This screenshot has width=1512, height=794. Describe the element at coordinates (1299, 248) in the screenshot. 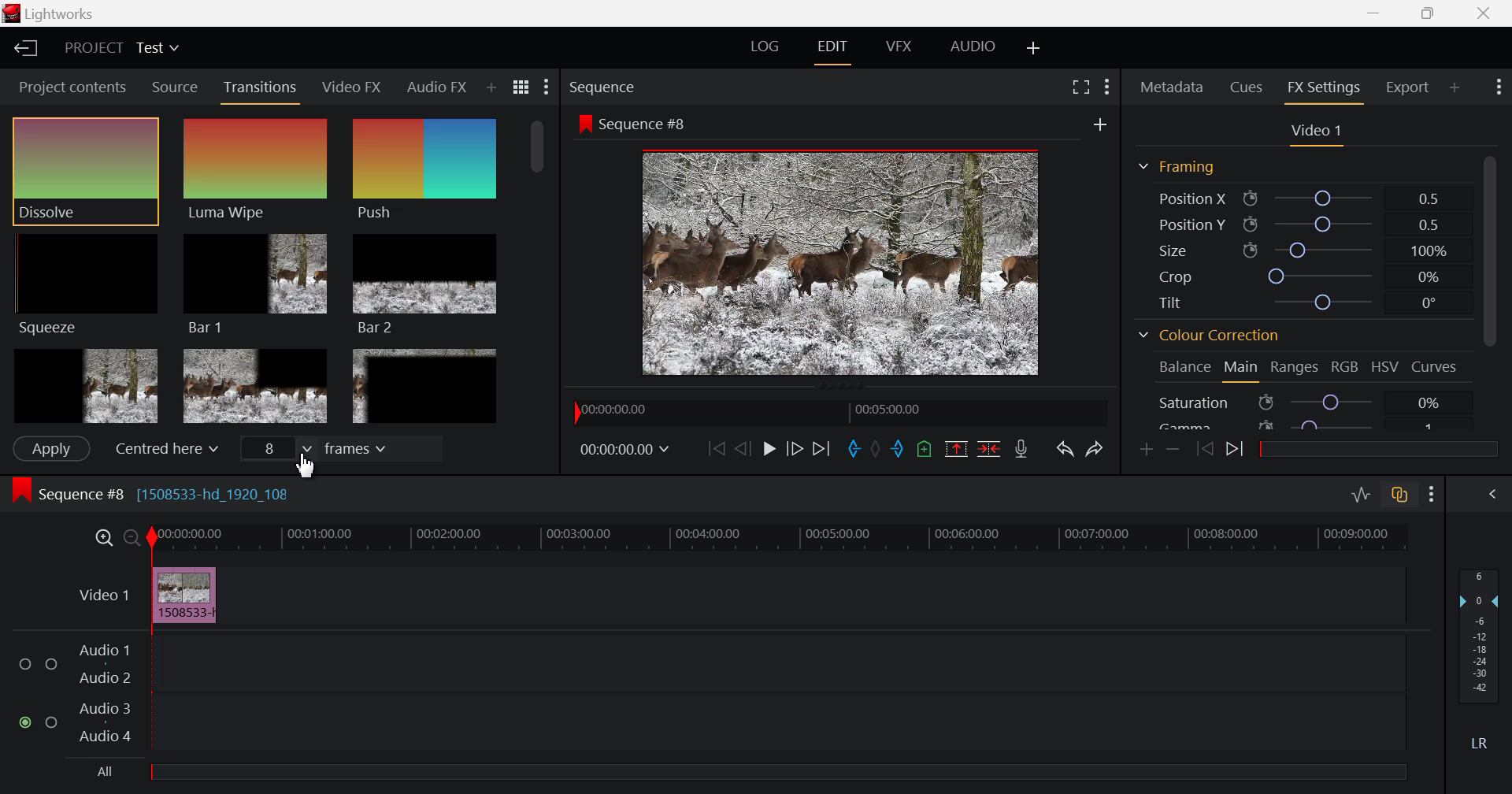

I see `Size` at that location.